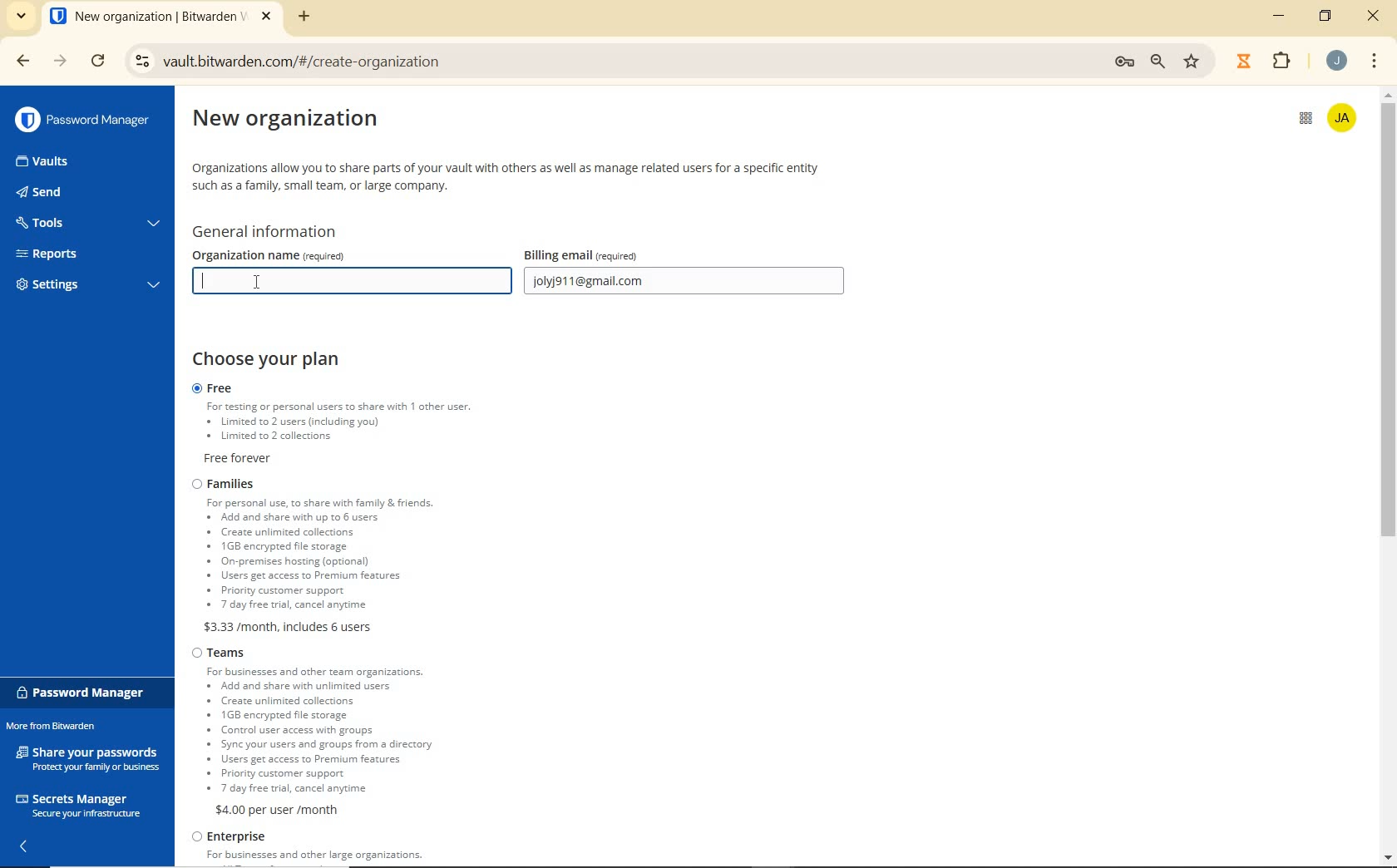 The height and width of the screenshot is (868, 1397). Describe the element at coordinates (84, 693) in the screenshot. I see `password manager` at that location.